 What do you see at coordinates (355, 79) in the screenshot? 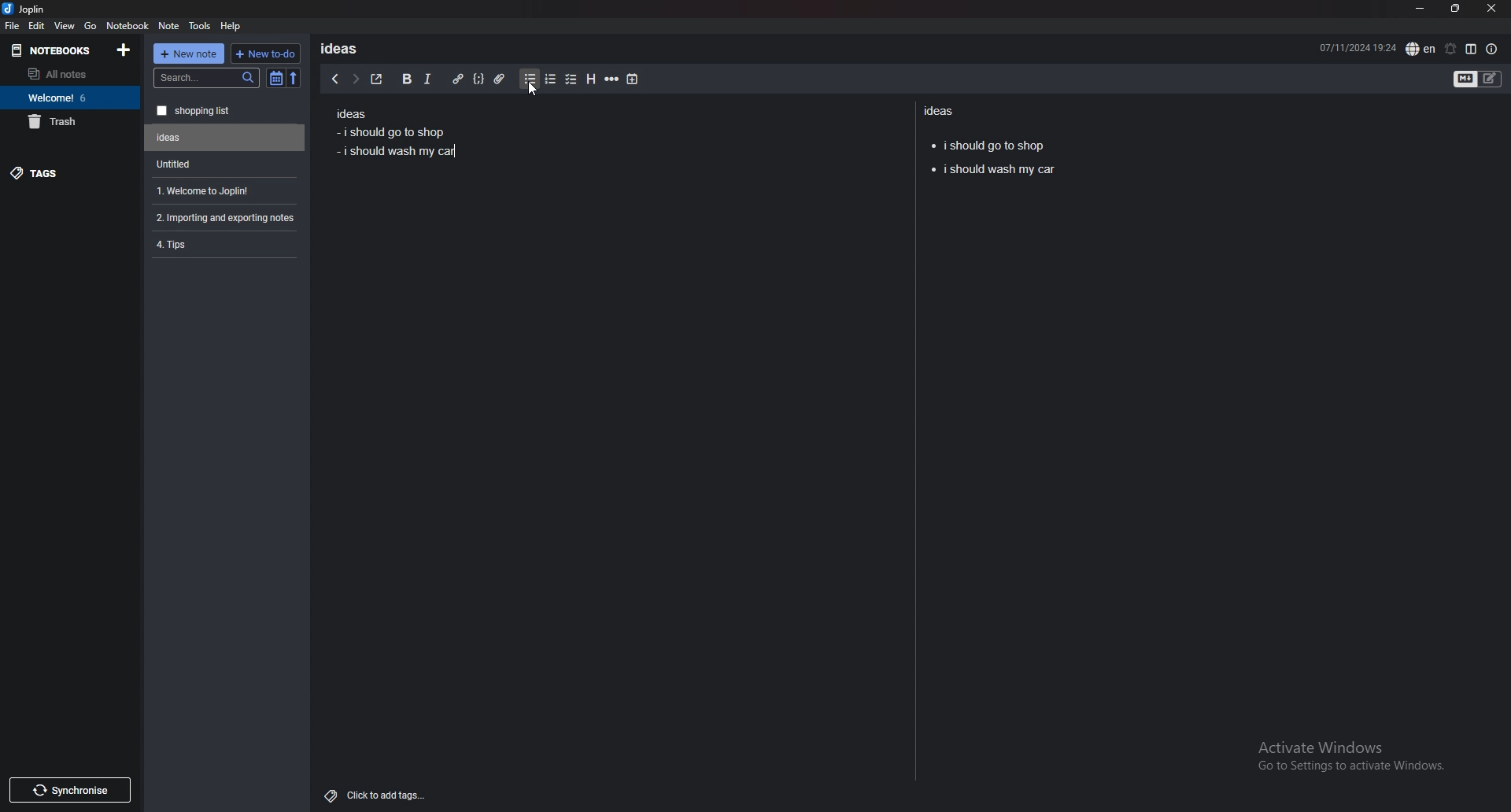
I see `next` at bounding box center [355, 79].